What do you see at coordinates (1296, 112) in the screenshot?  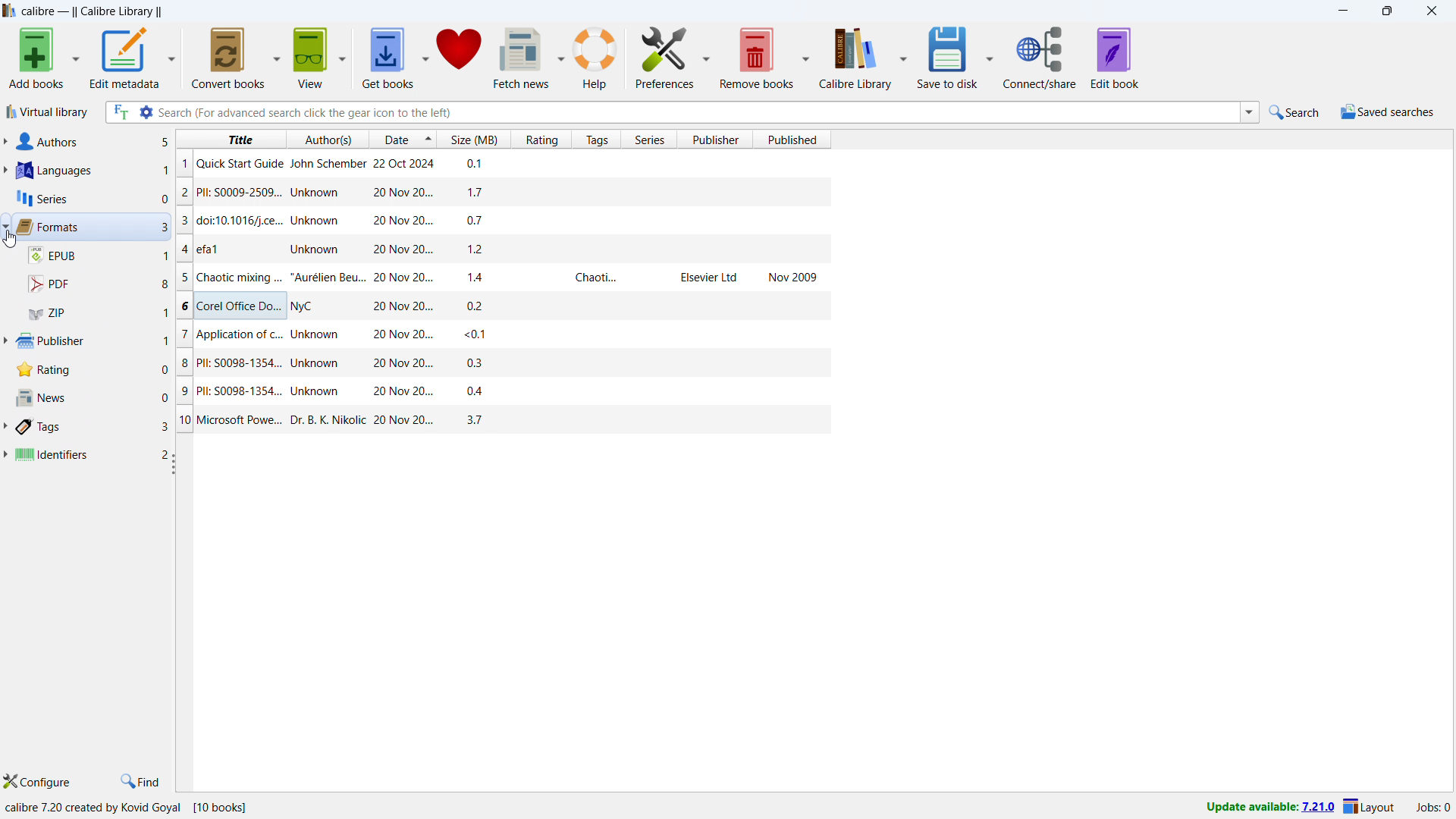 I see `do a quick search` at bounding box center [1296, 112].